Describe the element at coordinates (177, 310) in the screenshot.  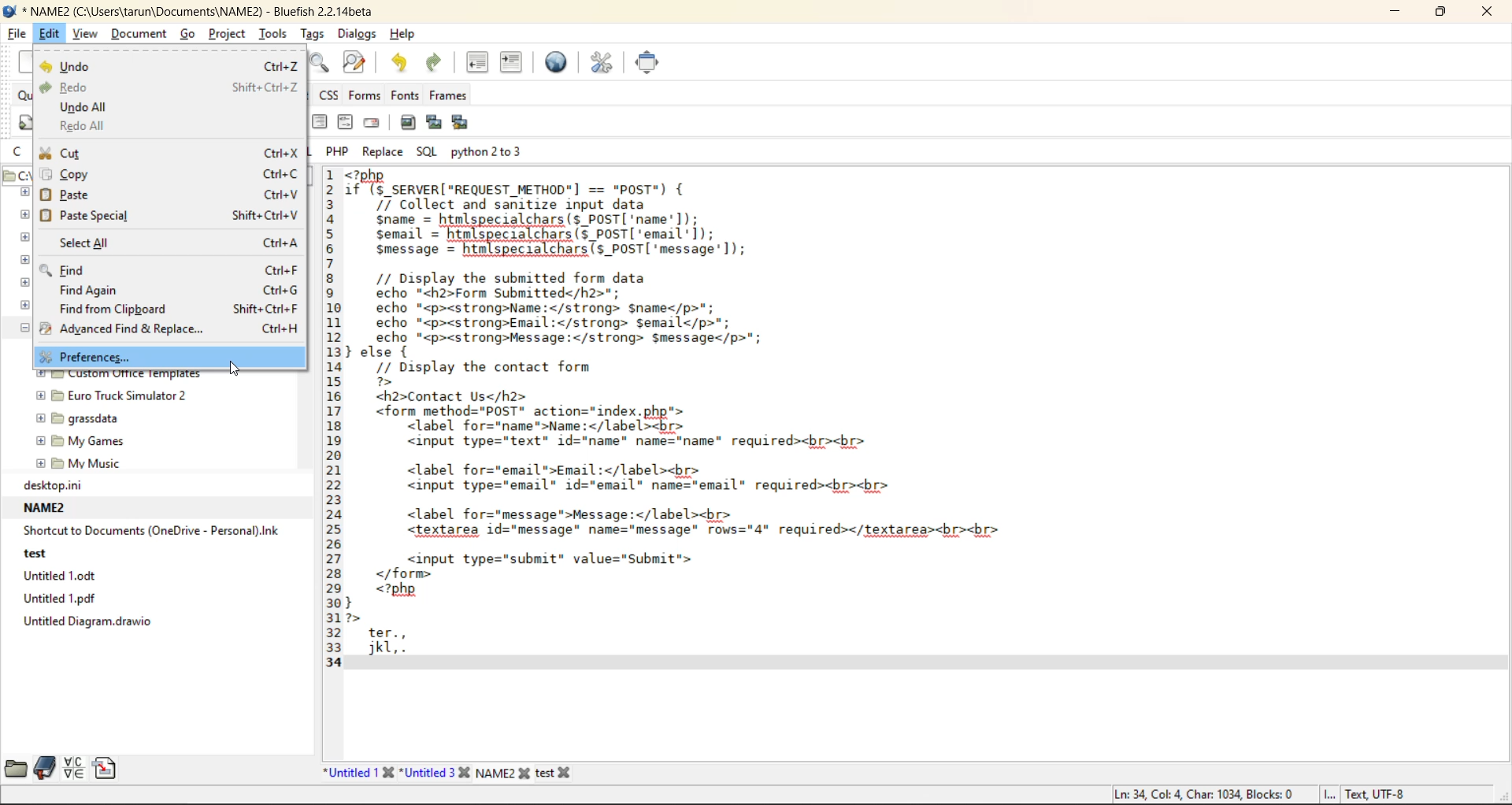
I see `find from clipboard` at that location.